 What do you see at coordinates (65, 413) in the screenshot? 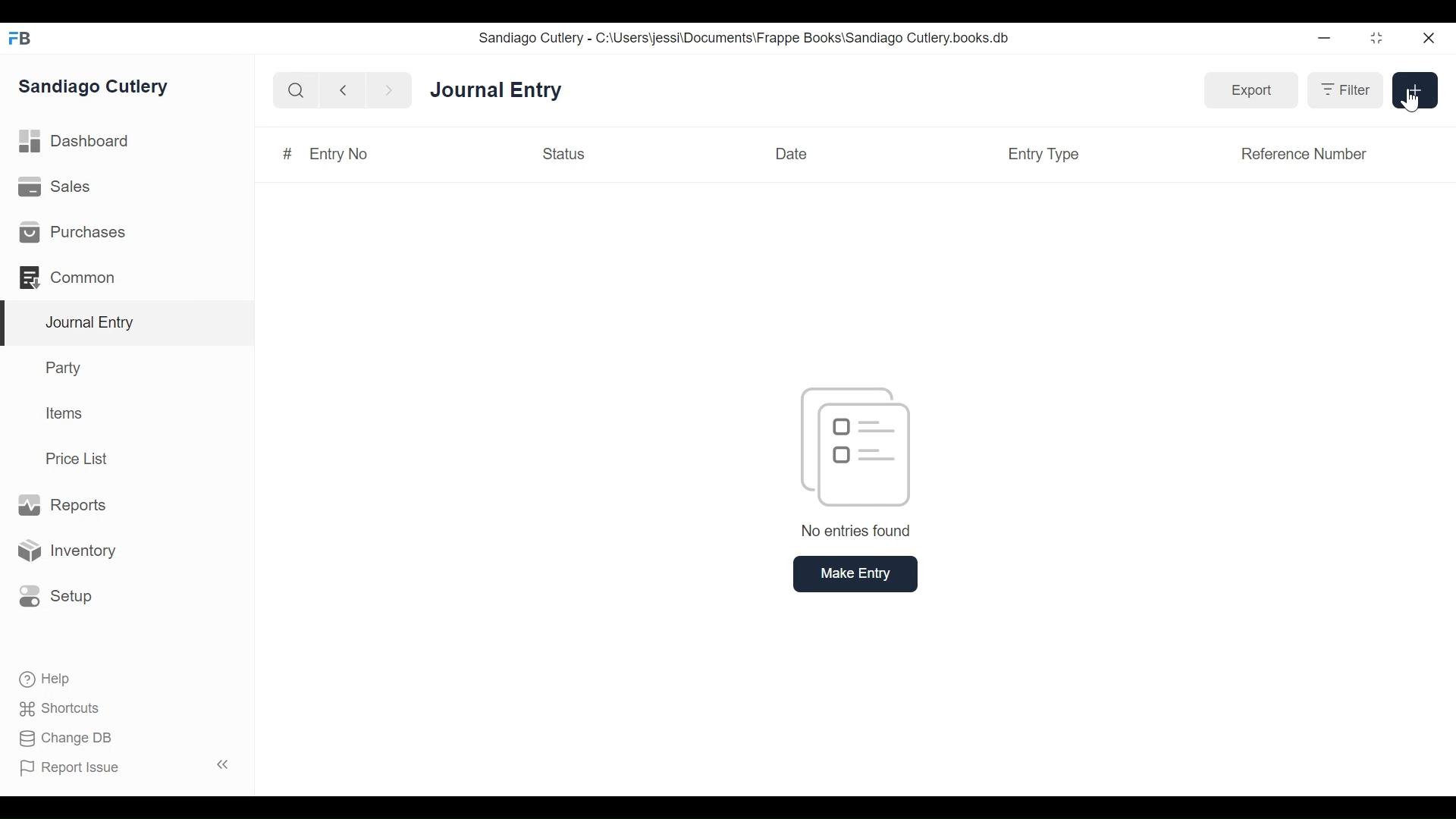
I see `Items` at bounding box center [65, 413].